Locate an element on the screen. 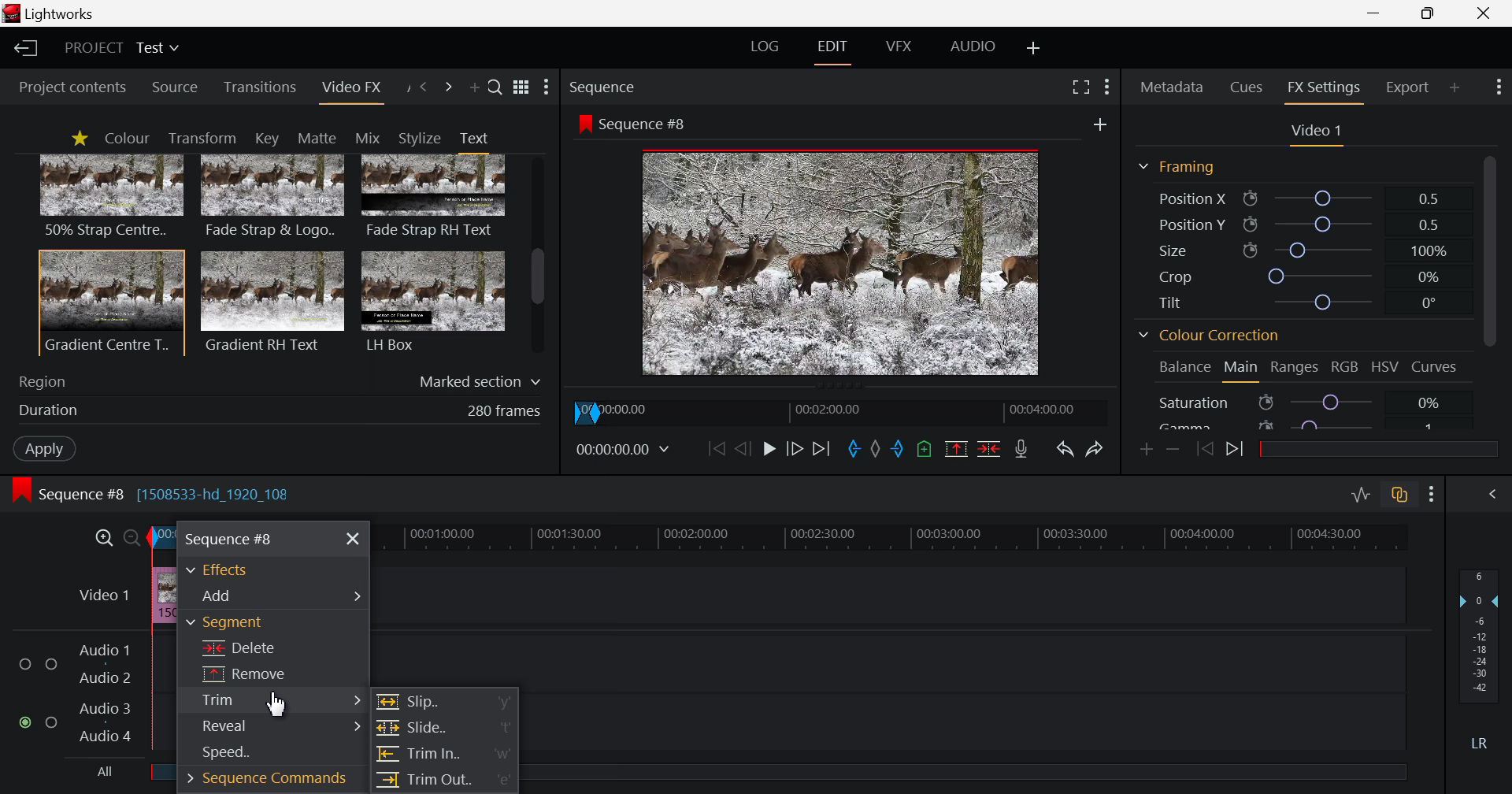 The image size is (1512, 794). Trim Out is located at coordinates (444, 782).